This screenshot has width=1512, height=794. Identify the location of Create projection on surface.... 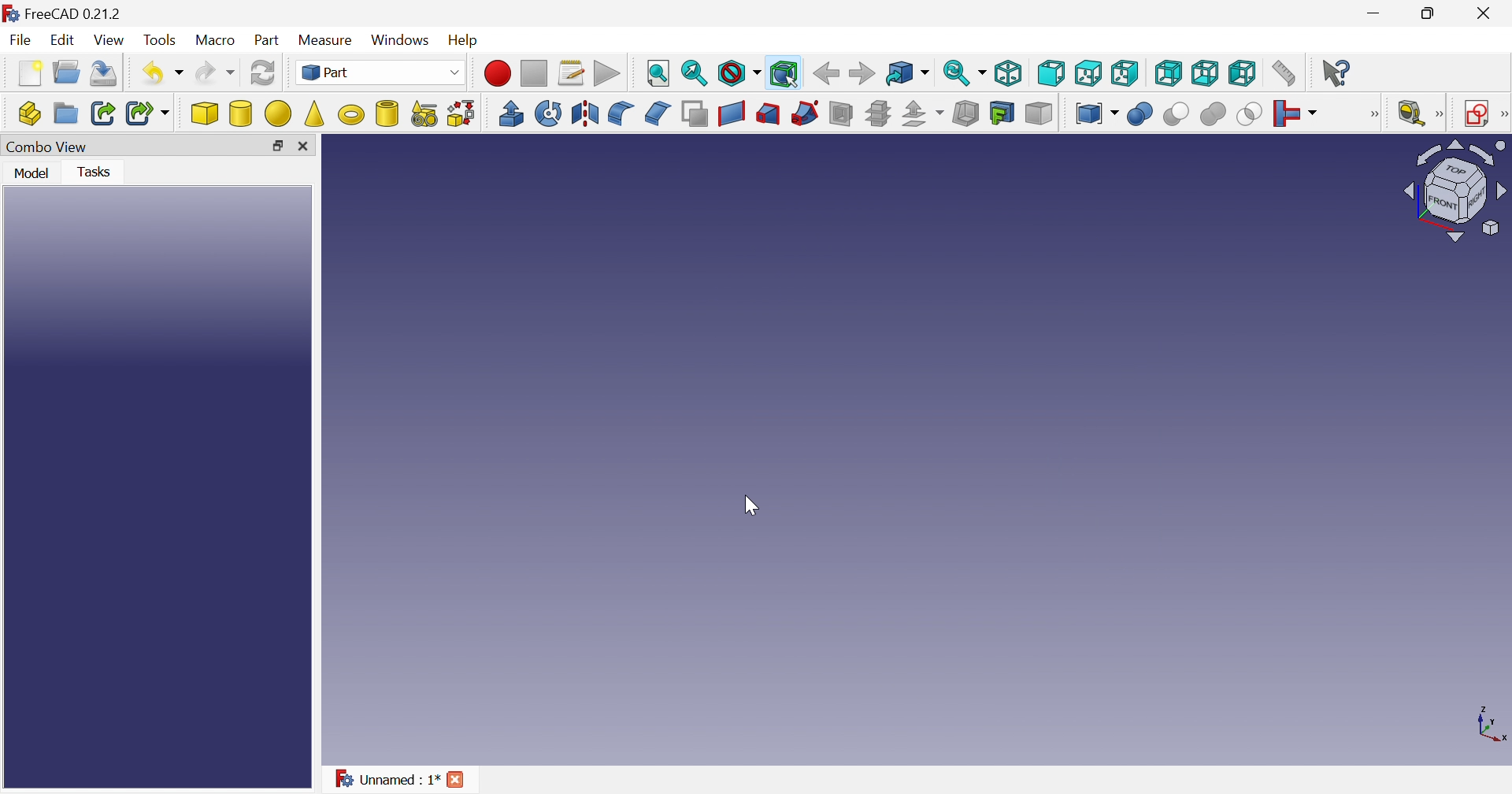
(1002, 113).